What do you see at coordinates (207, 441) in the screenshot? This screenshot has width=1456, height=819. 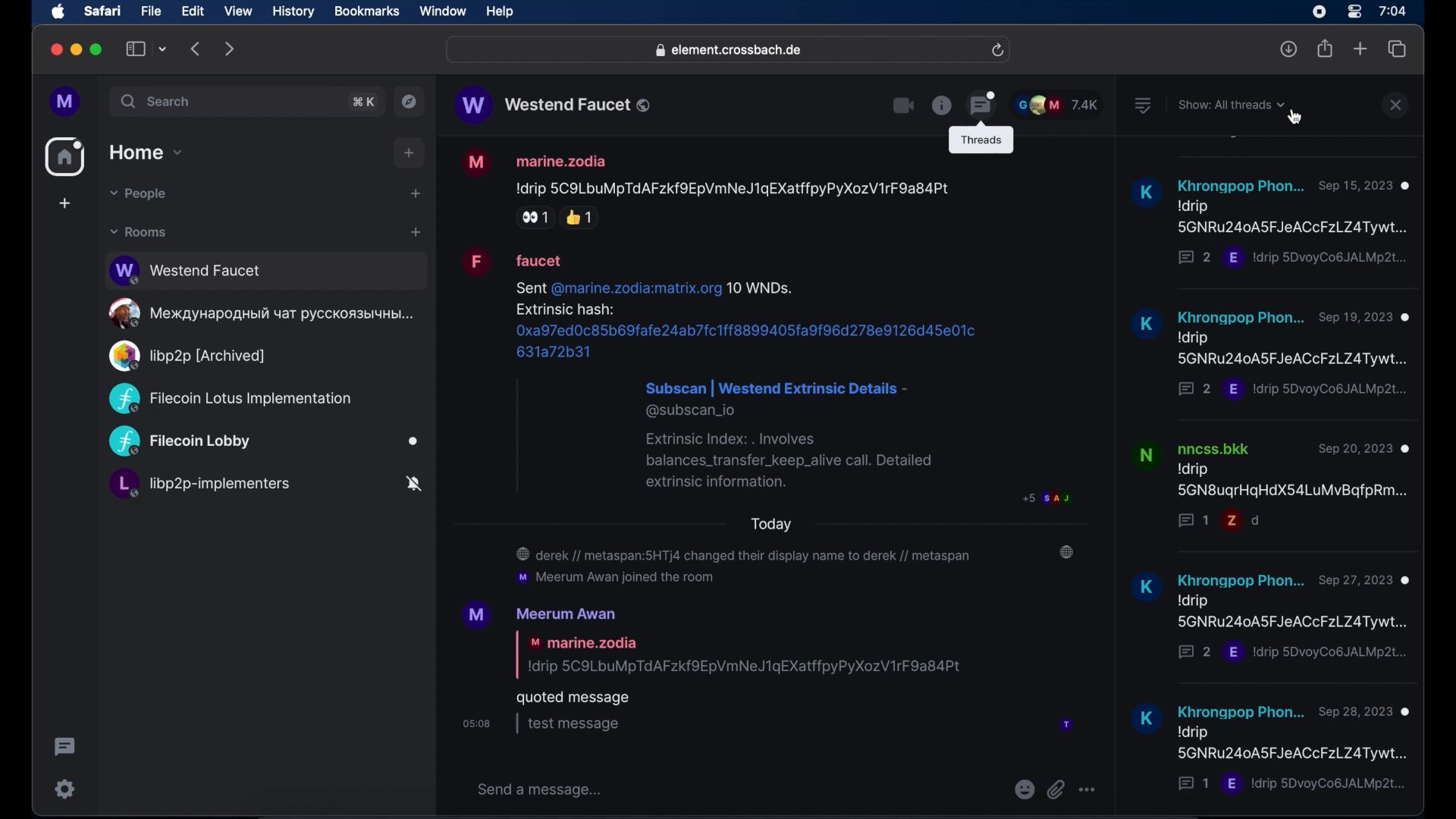 I see ` Filecoin Lobby` at bounding box center [207, 441].